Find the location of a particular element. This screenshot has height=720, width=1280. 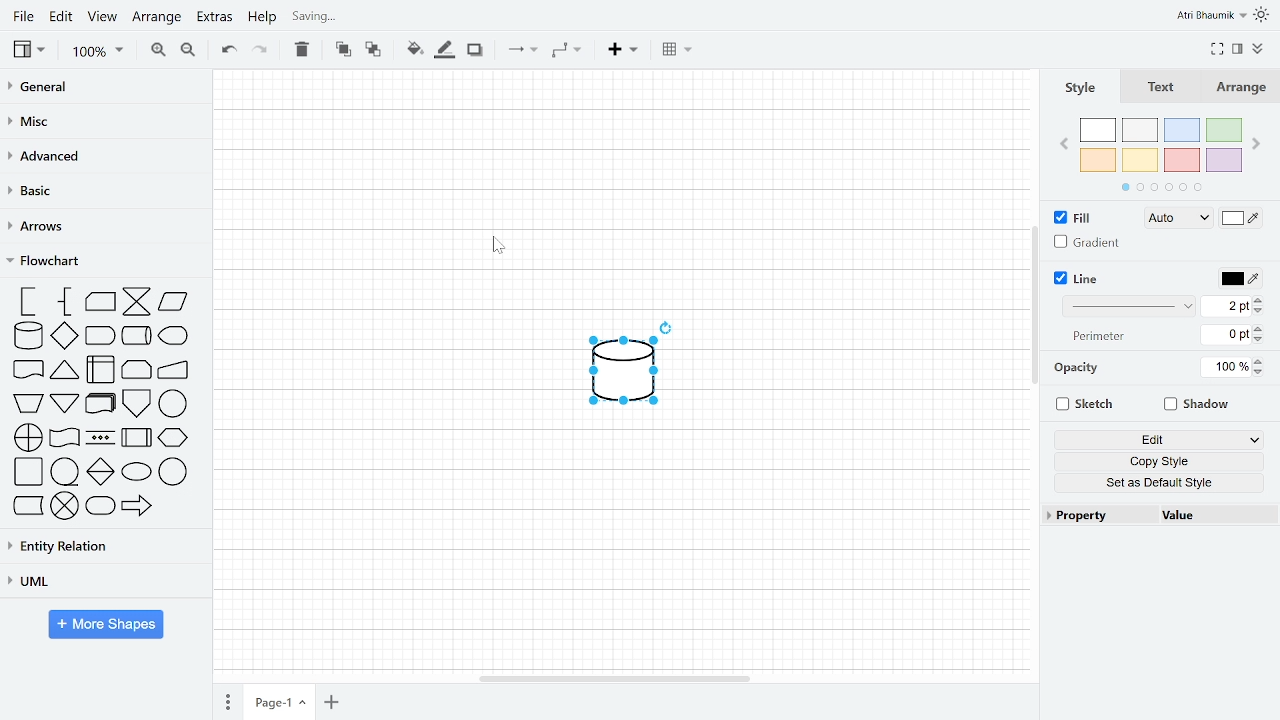

Sketch is located at coordinates (1081, 404).